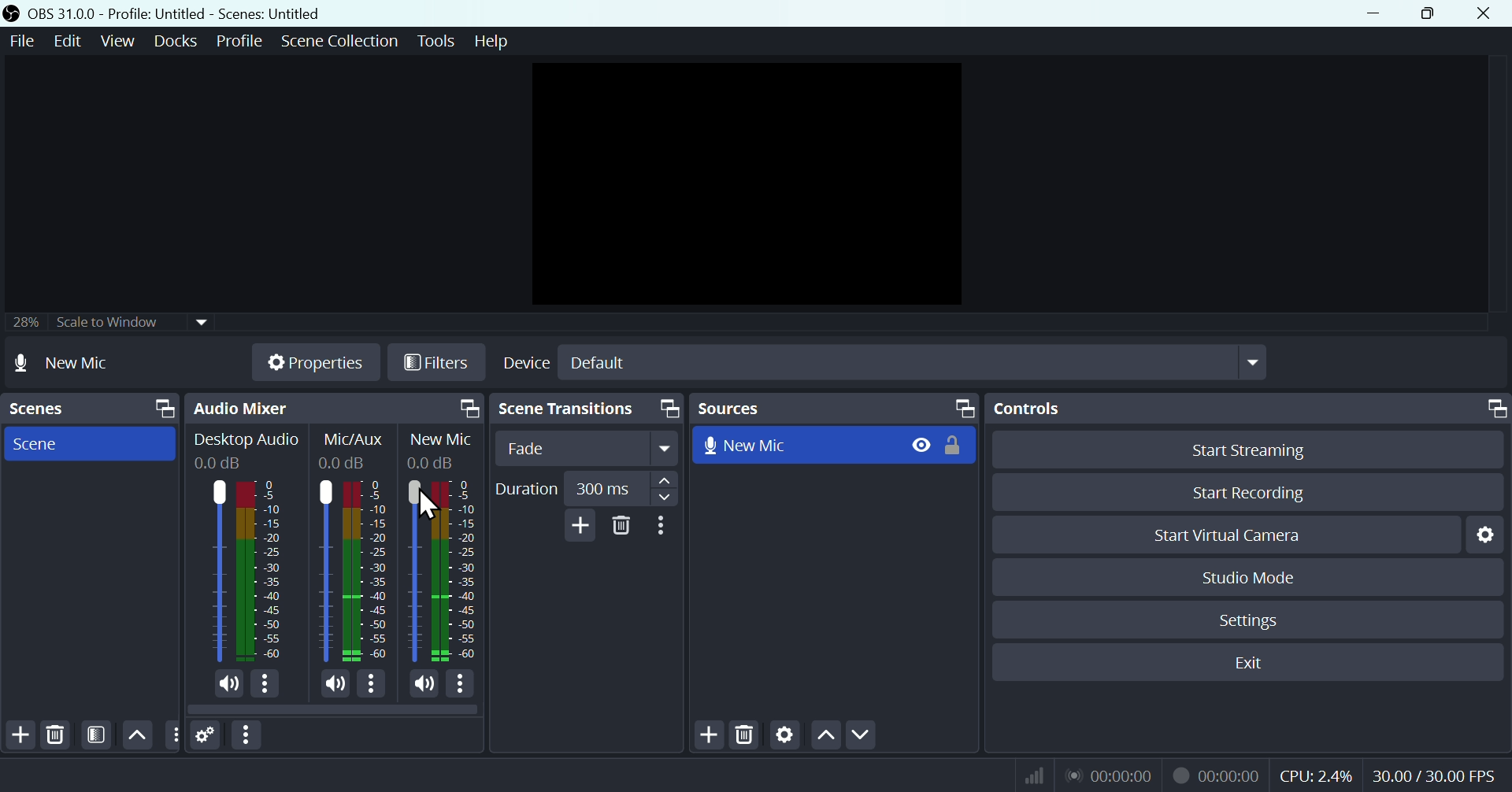  What do you see at coordinates (1032, 774) in the screenshot?
I see `Bitrate` at bounding box center [1032, 774].